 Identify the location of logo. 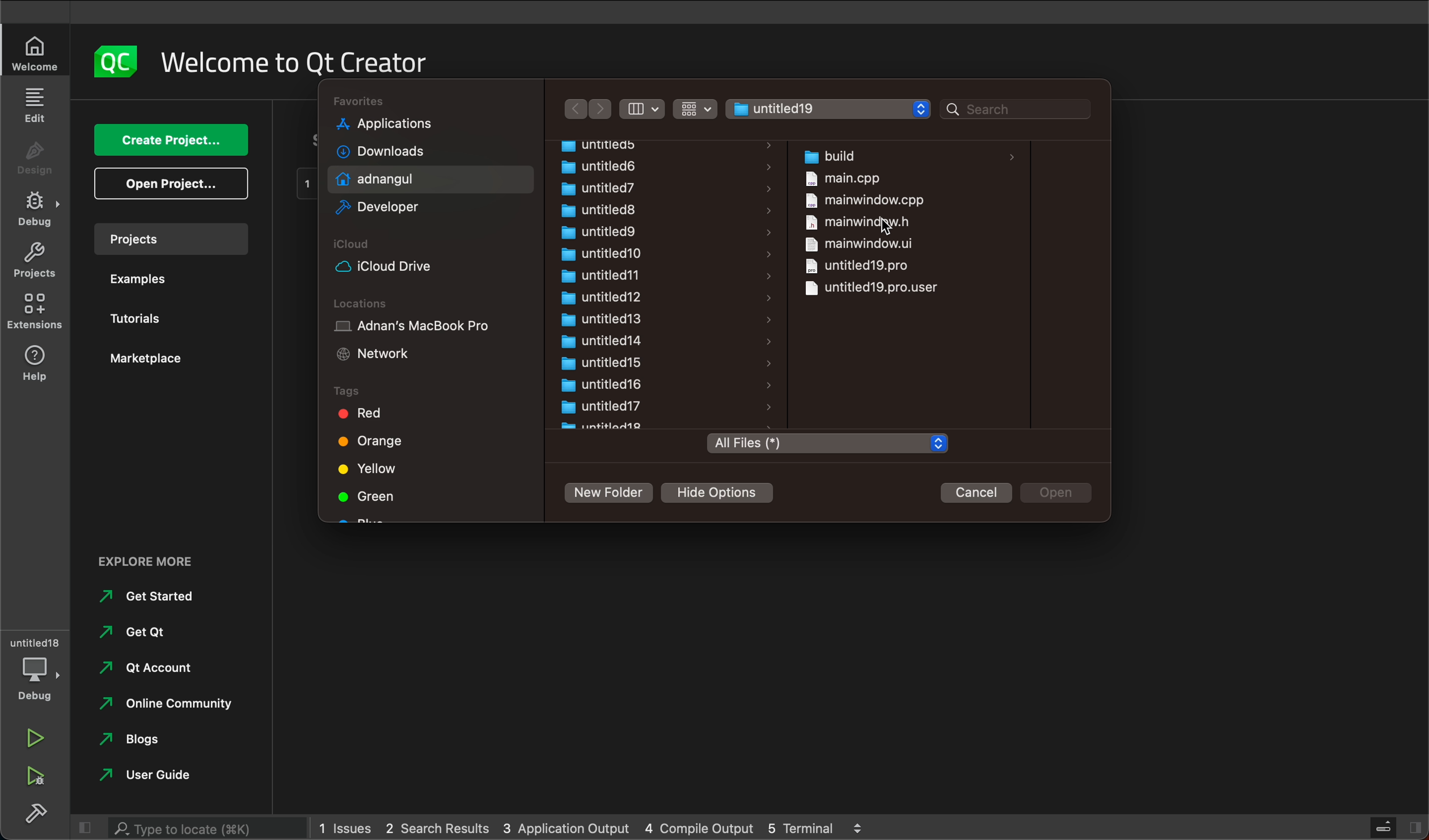
(119, 60).